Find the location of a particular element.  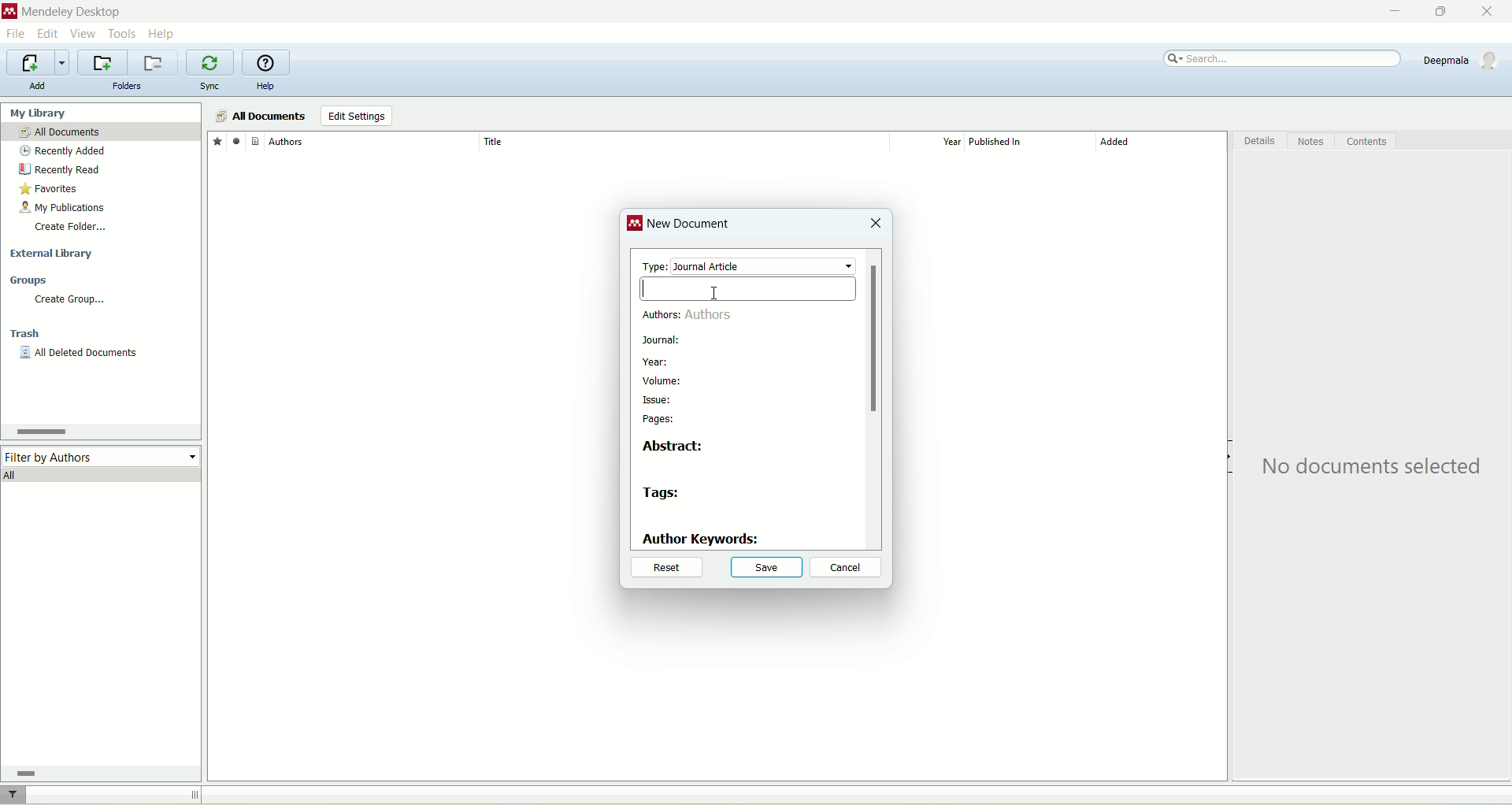

authors is located at coordinates (693, 317).